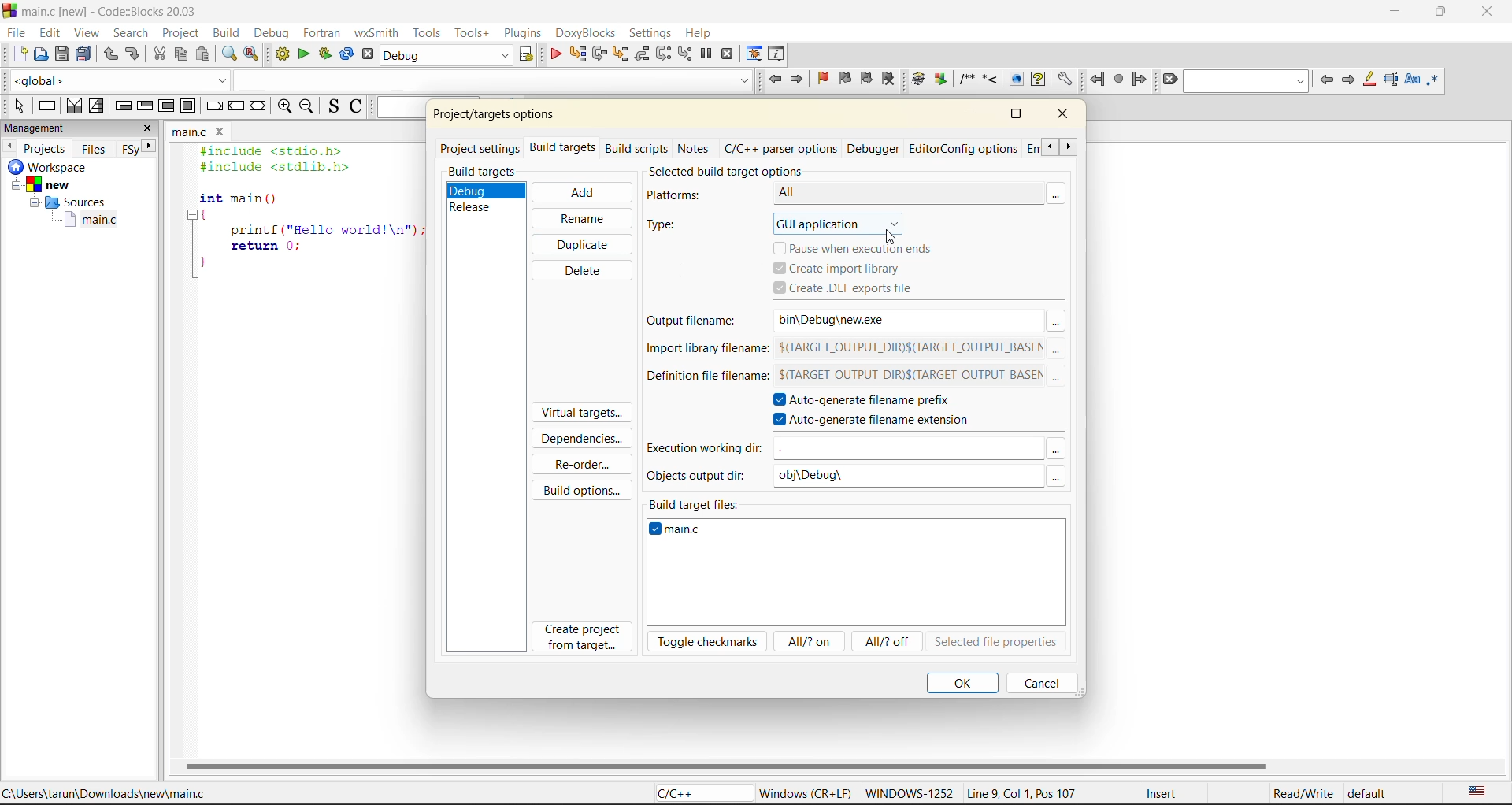 The height and width of the screenshot is (805, 1512). Describe the element at coordinates (302, 56) in the screenshot. I see `run` at that location.